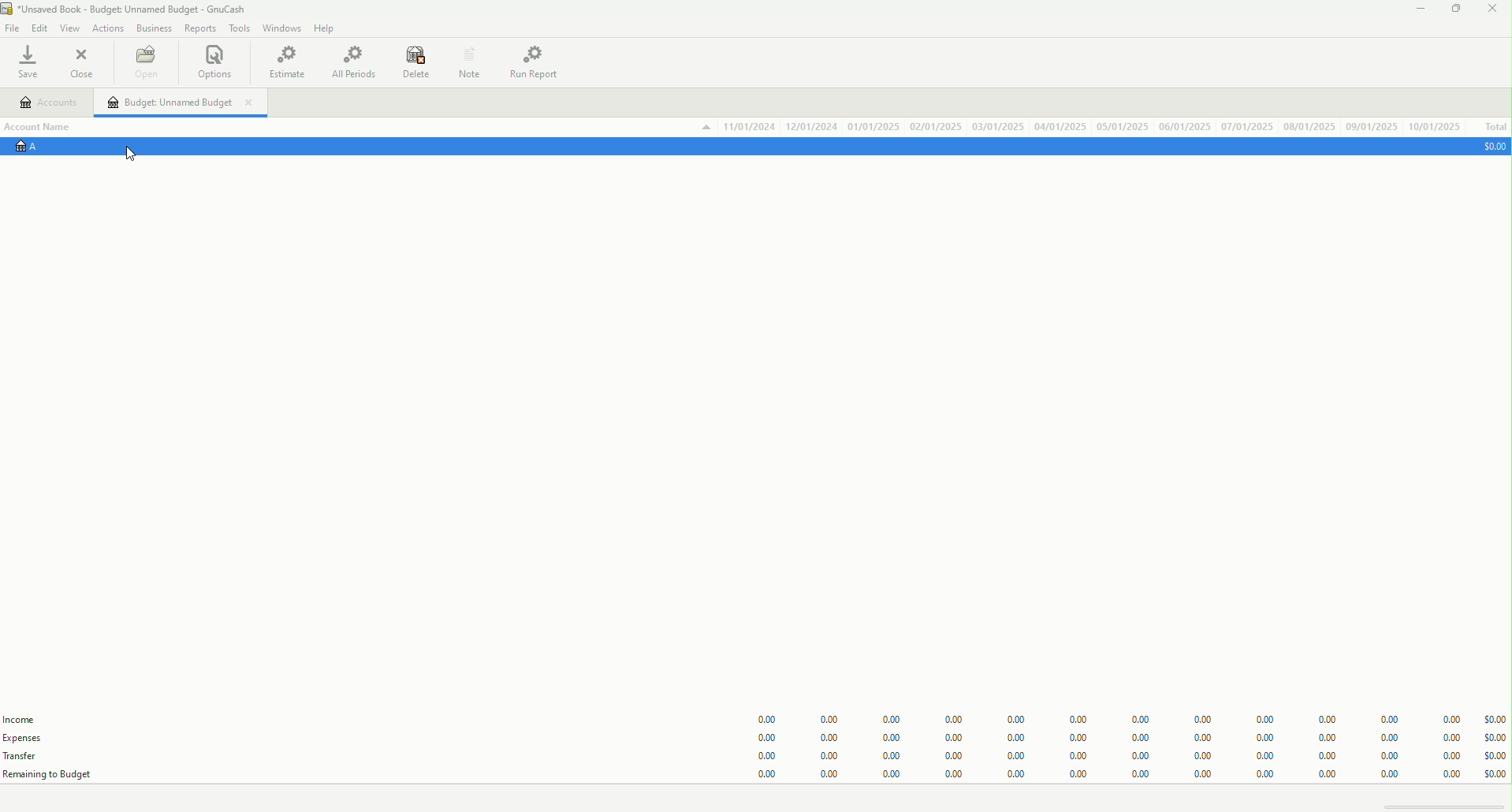  Describe the element at coordinates (198, 29) in the screenshot. I see `Reports` at that location.